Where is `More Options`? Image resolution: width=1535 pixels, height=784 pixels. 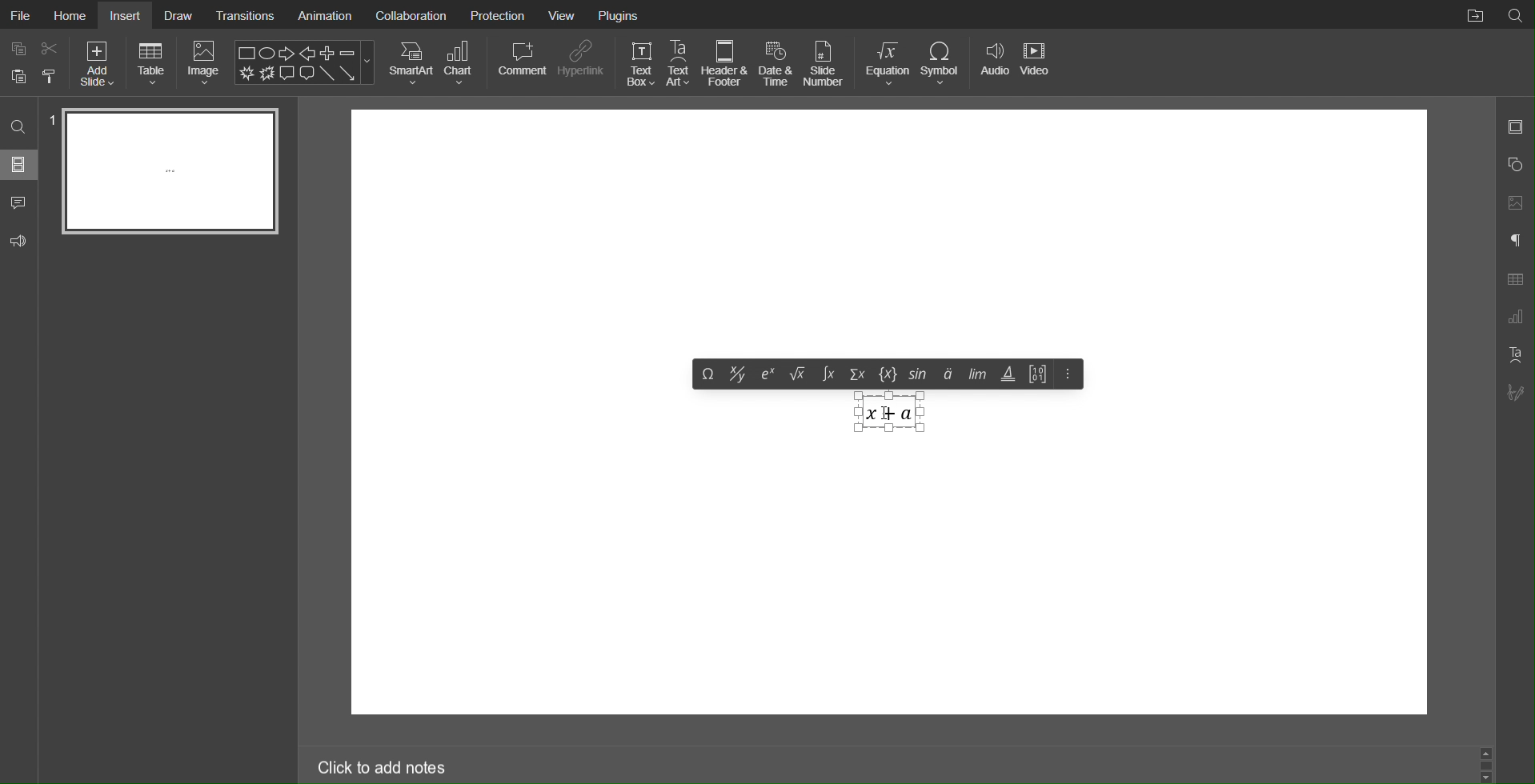
More Options is located at coordinates (1066, 375).